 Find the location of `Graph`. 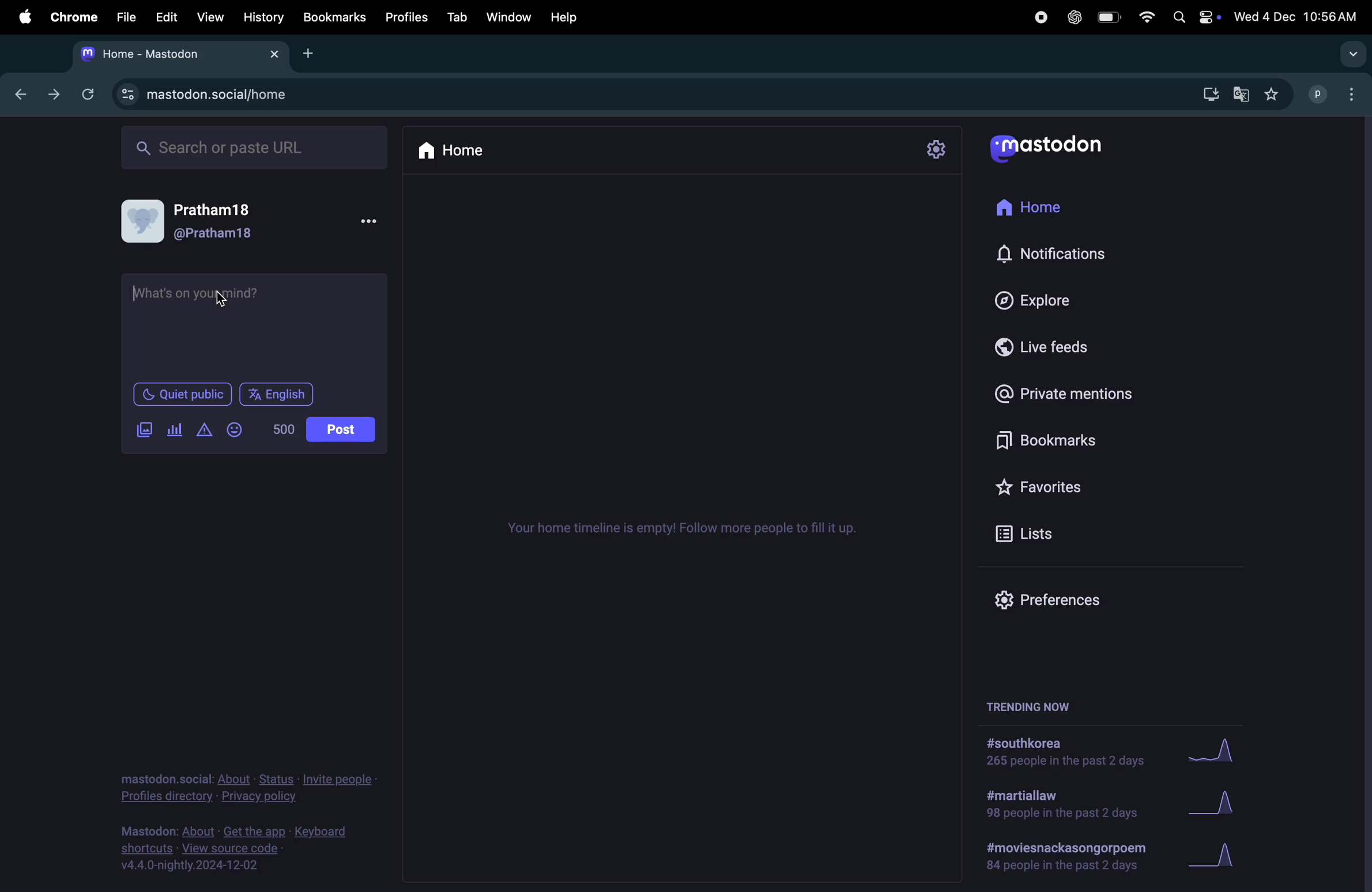

Graph is located at coordinates (1219, 802).